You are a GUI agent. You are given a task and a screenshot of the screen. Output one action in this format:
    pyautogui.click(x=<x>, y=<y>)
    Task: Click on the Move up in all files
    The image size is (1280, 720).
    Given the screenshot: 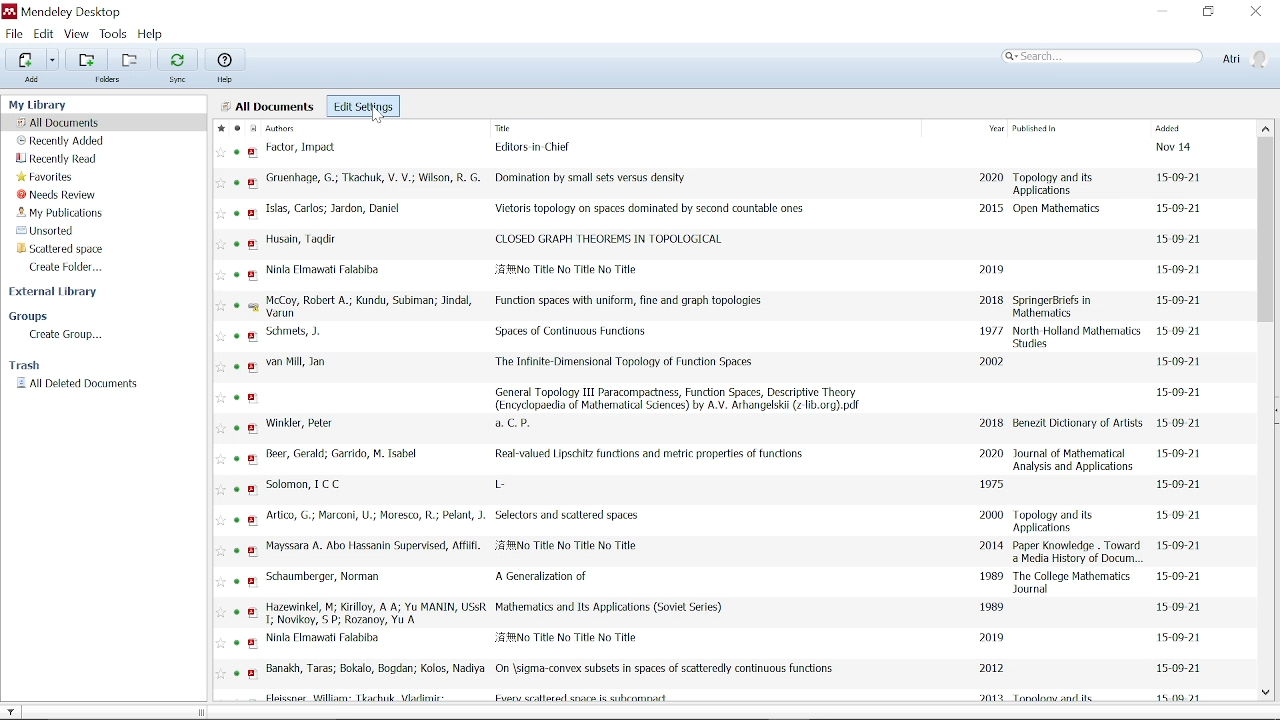 What is the action you would take?
    pyautogui.click(x=1264, y=127)
    